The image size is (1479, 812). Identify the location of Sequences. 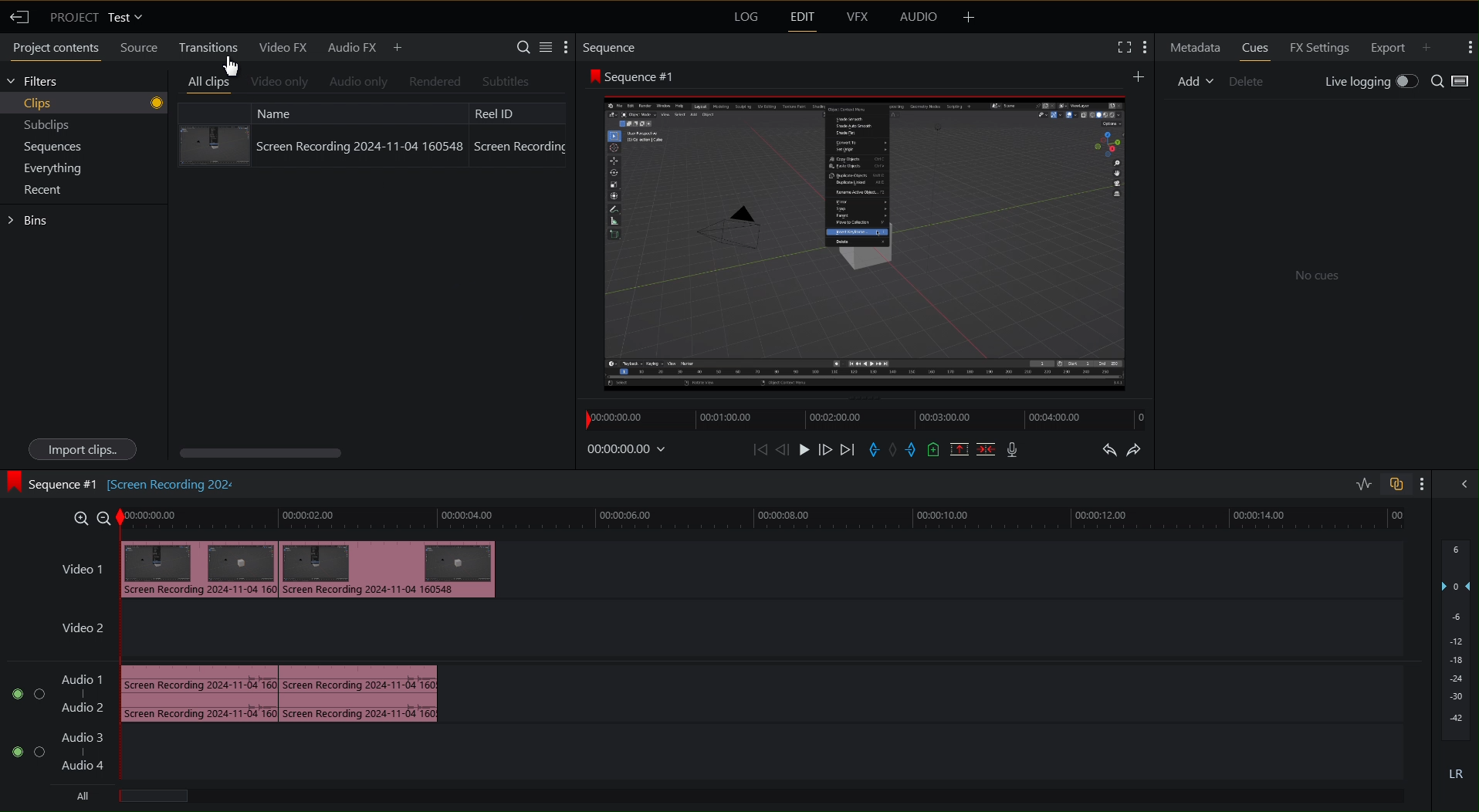
(52, 147).